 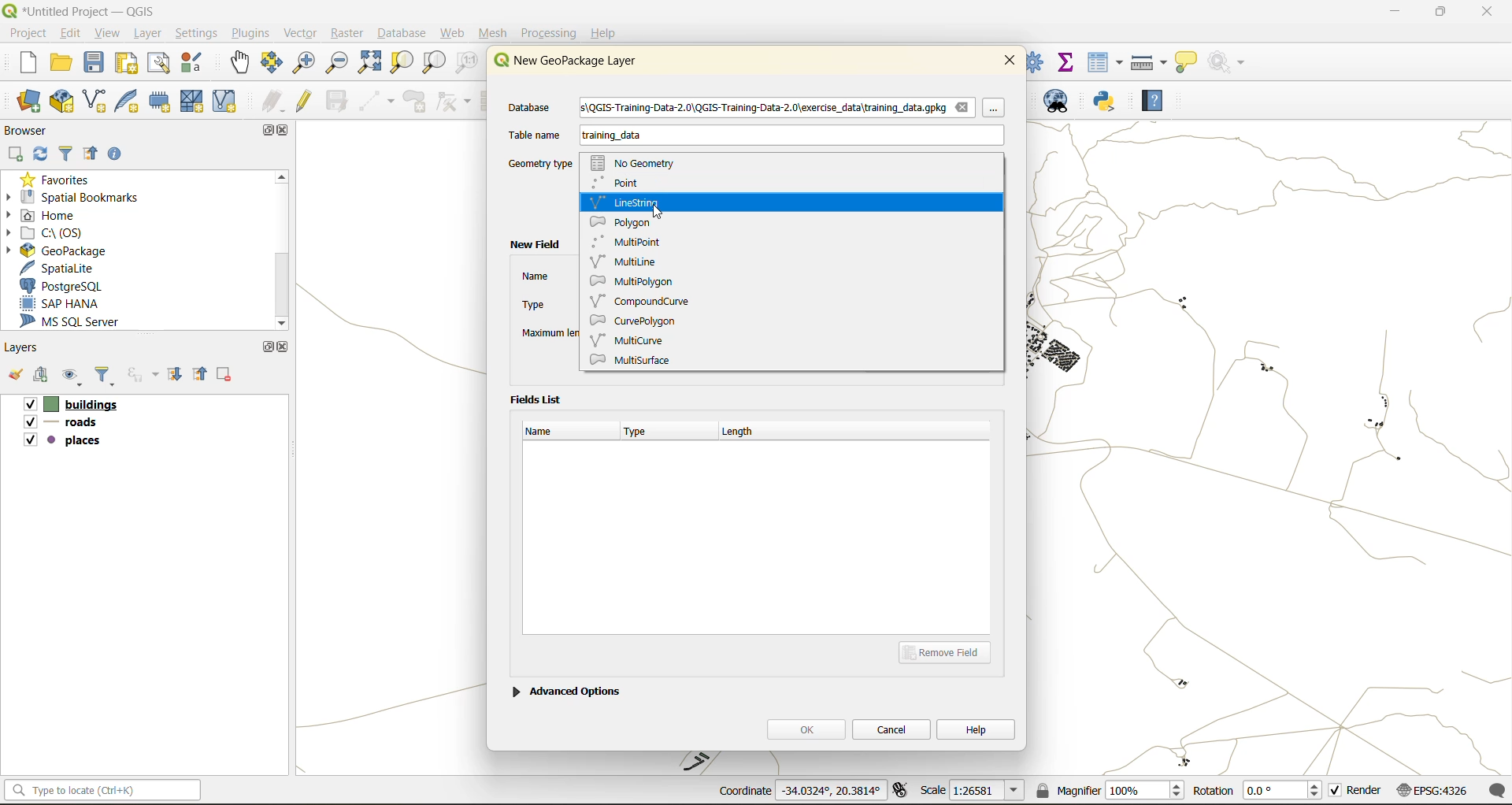 What do you see at coordinates (632, 339) in the screenshot?
I see `multicurve` at bounding box center [632, 339].